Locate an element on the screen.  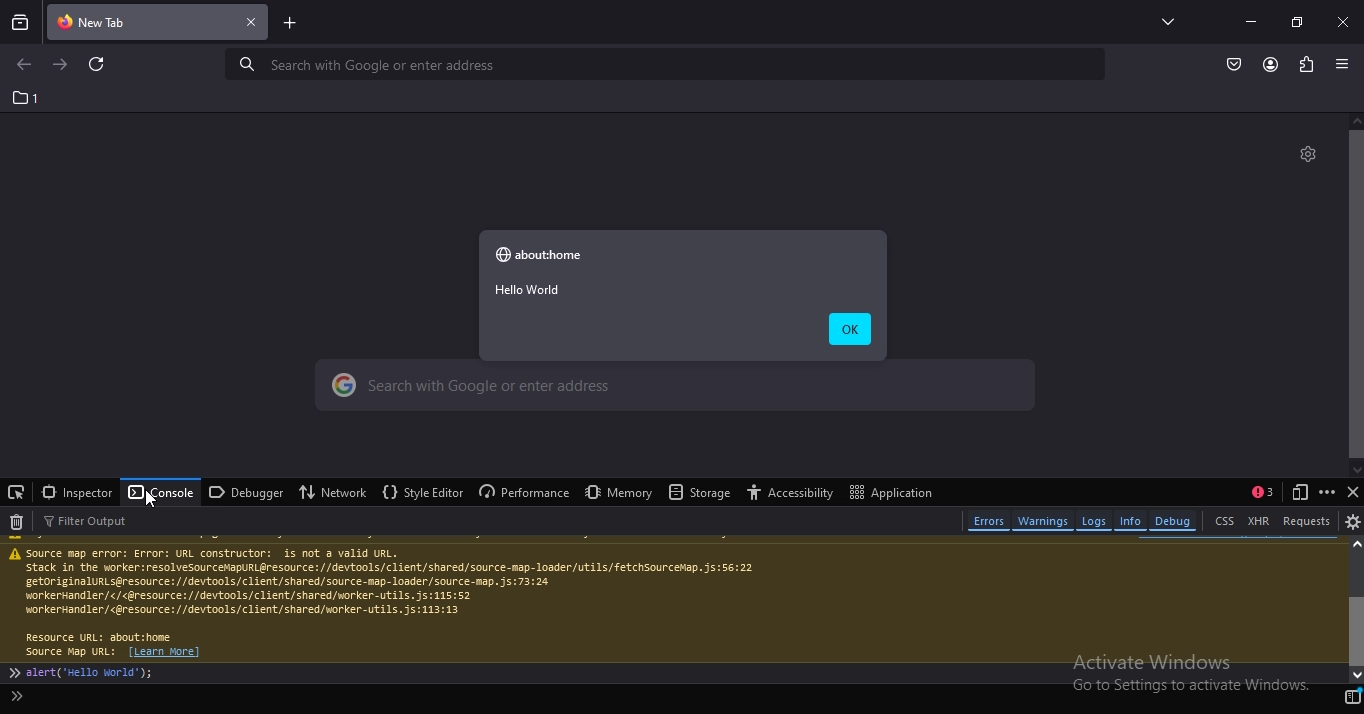
debugger is located at coordinates (246, 492).